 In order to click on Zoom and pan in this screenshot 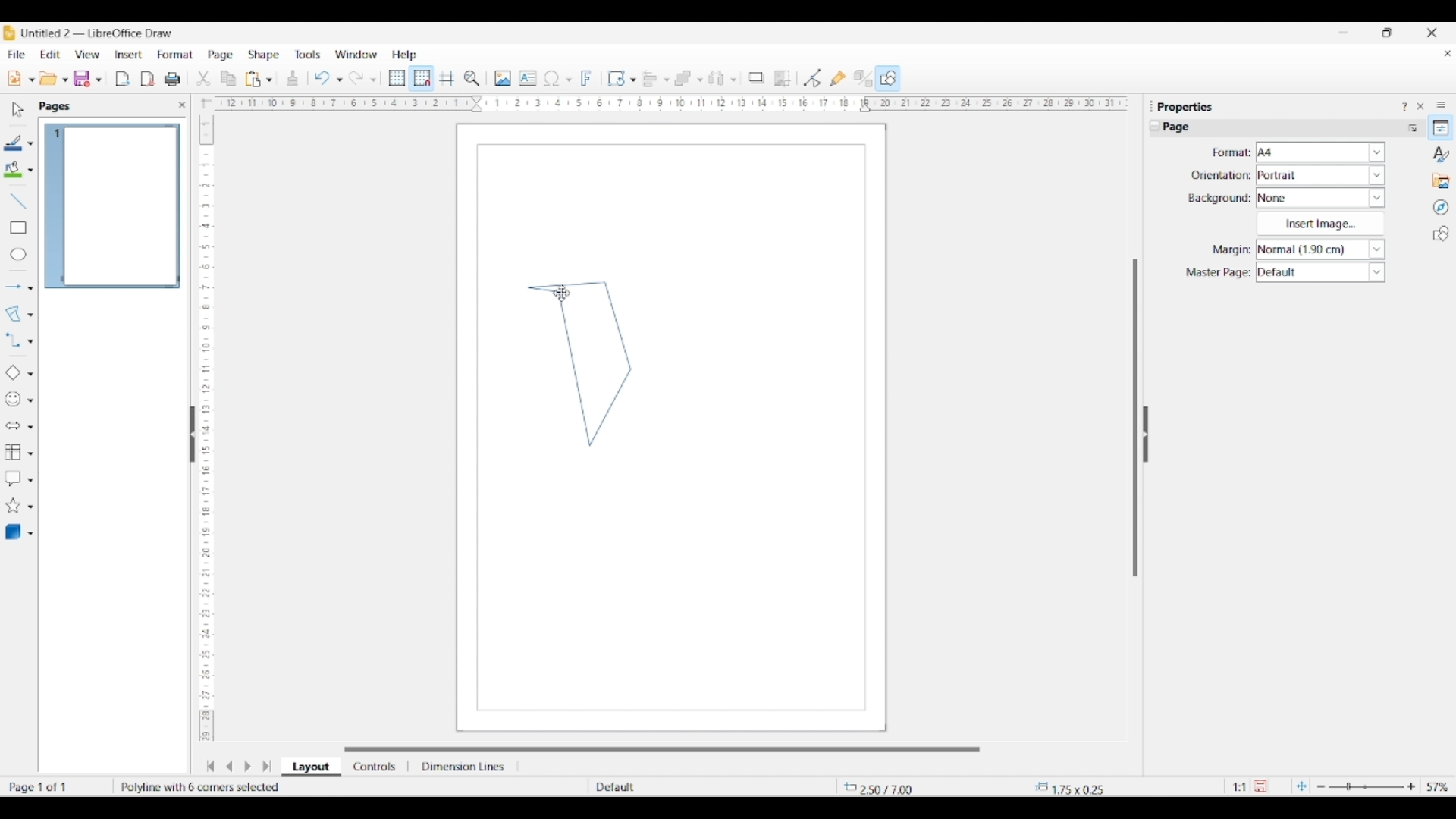, I will do `click(472, 79)`.